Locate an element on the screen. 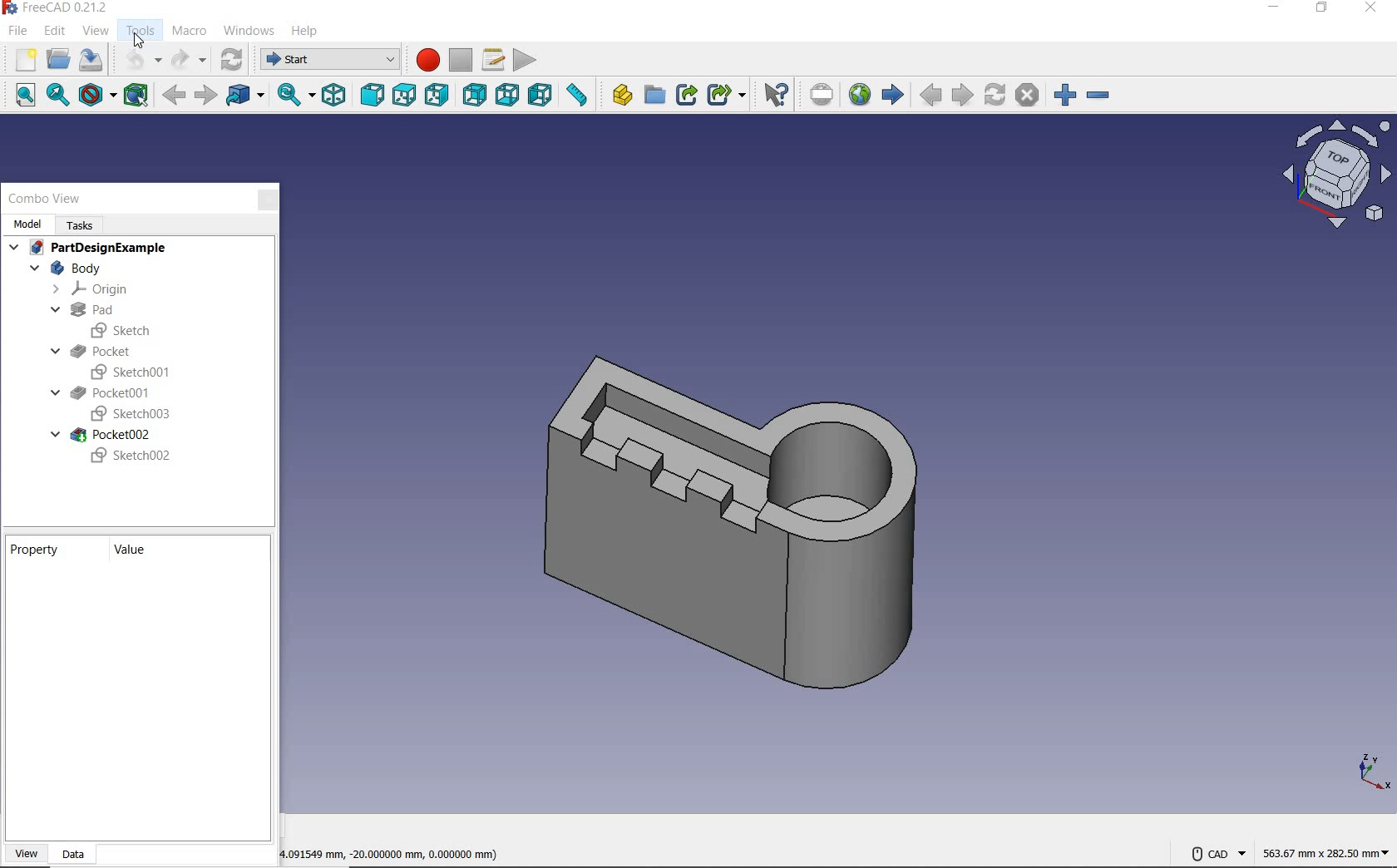 This screenshot has width=1397, height=868. Sketch002 is located at coordinates (131, 456).